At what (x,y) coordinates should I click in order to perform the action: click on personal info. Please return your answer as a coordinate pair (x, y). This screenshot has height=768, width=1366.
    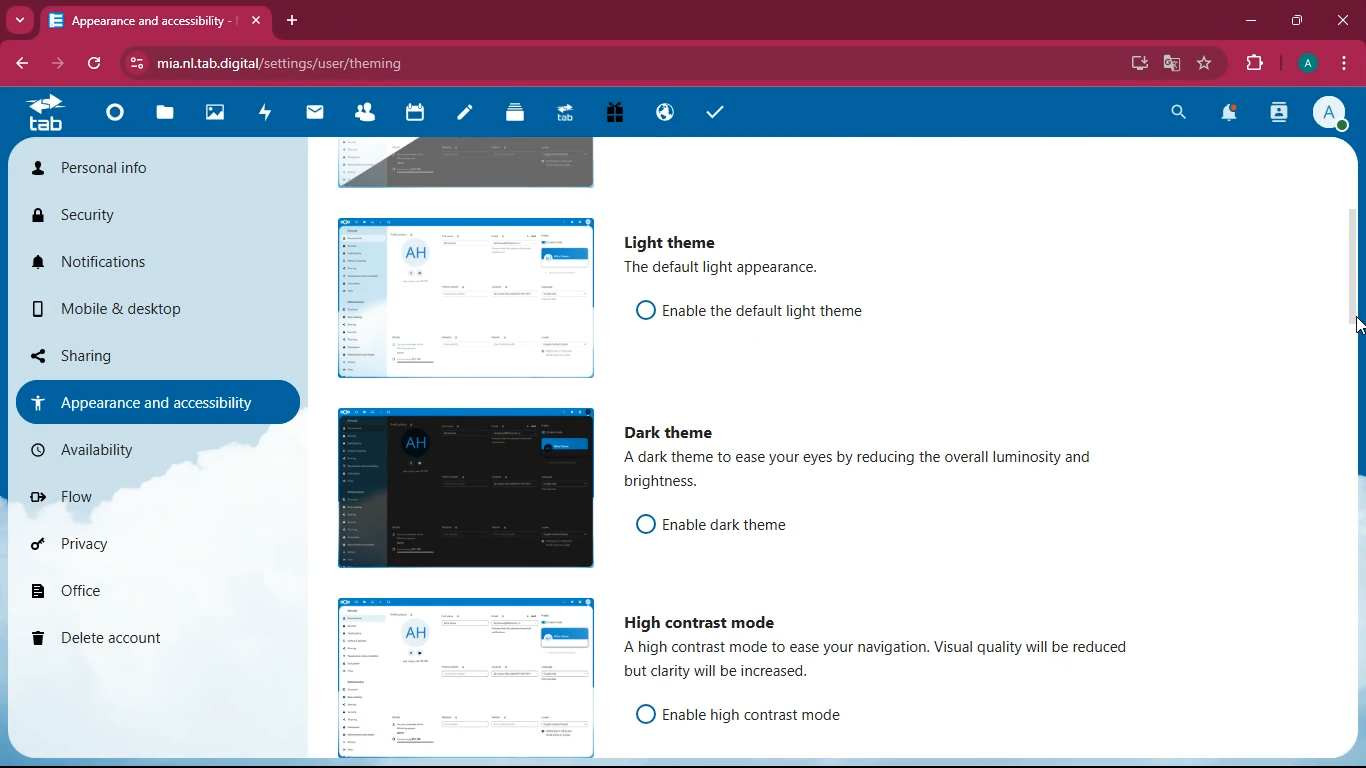
    Looking at the image, I should click on (103, 169).